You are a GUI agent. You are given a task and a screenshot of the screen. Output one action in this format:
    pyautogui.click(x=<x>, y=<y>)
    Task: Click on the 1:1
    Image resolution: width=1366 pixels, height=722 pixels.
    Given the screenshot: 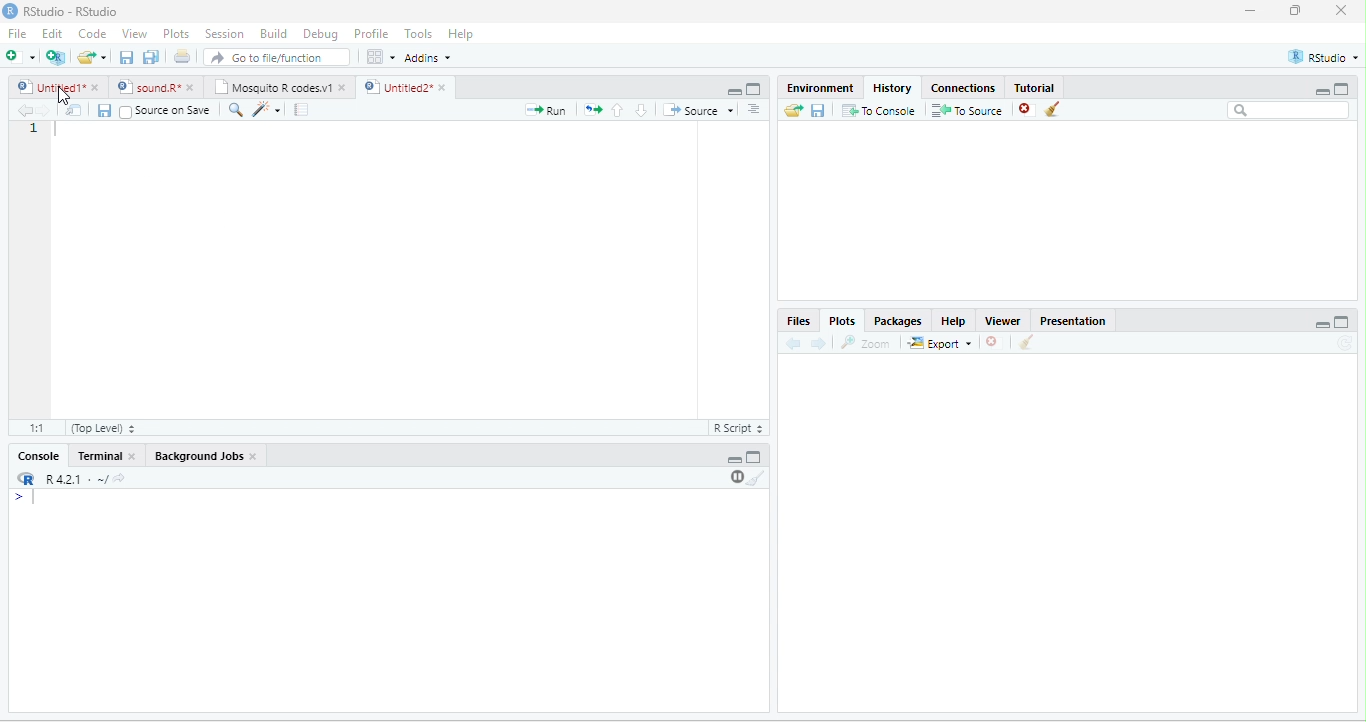 What is the action you would take?
    pyautogui.click(x=38, y=427)
    